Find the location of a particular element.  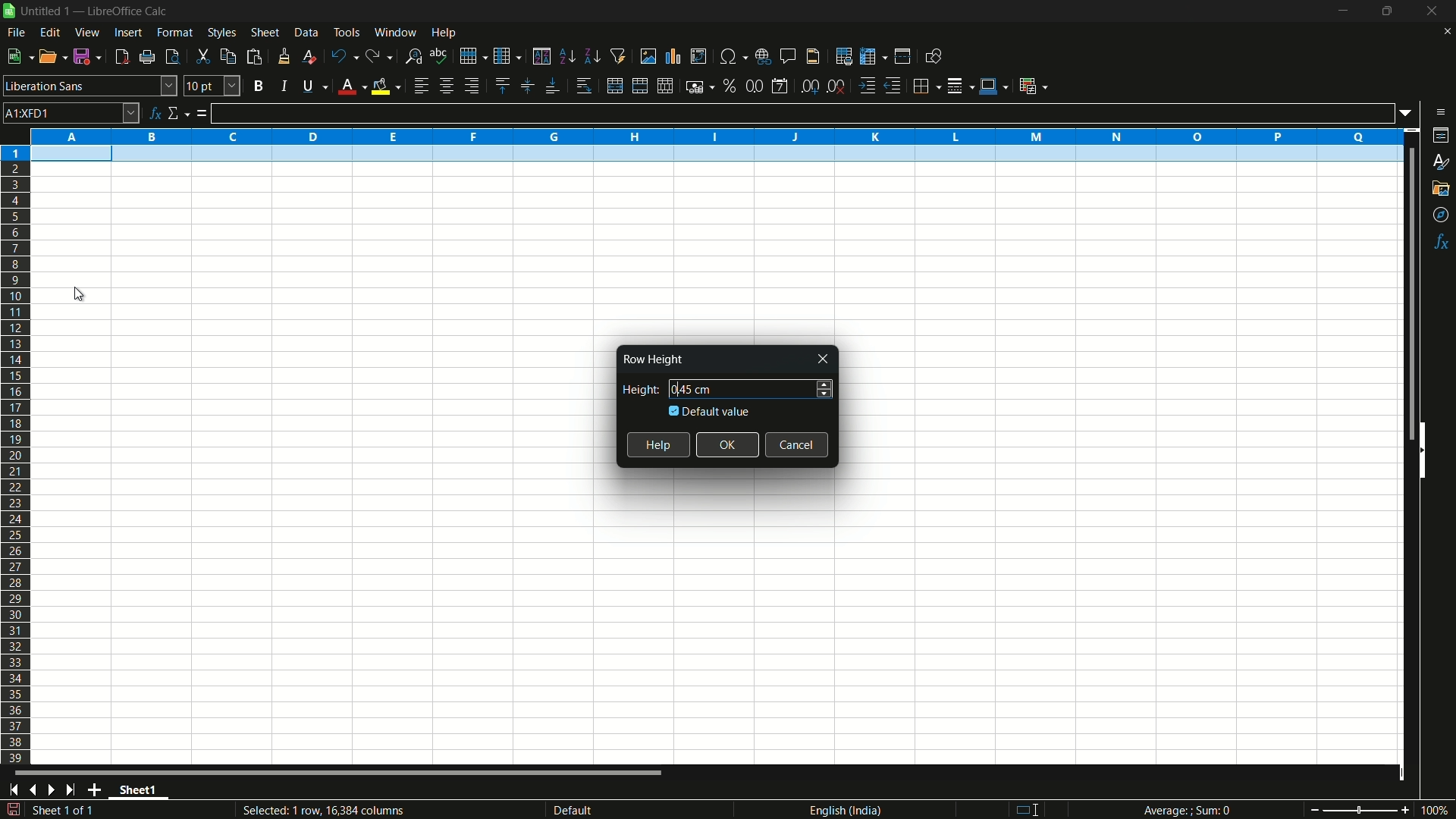

background fill is located at coordinates (385, 86).